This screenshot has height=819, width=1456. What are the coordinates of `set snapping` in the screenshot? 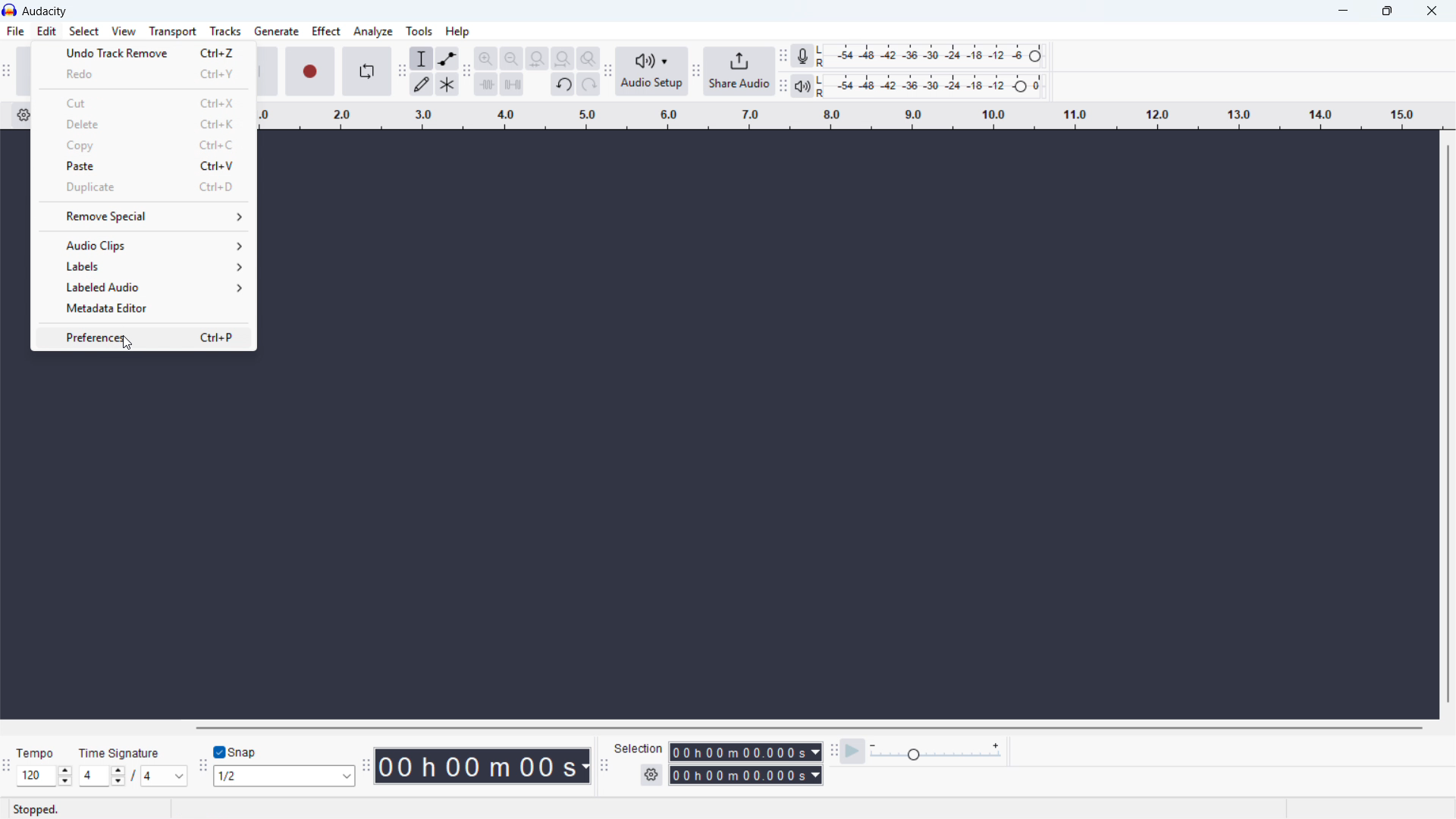 It's located at (283, 776).